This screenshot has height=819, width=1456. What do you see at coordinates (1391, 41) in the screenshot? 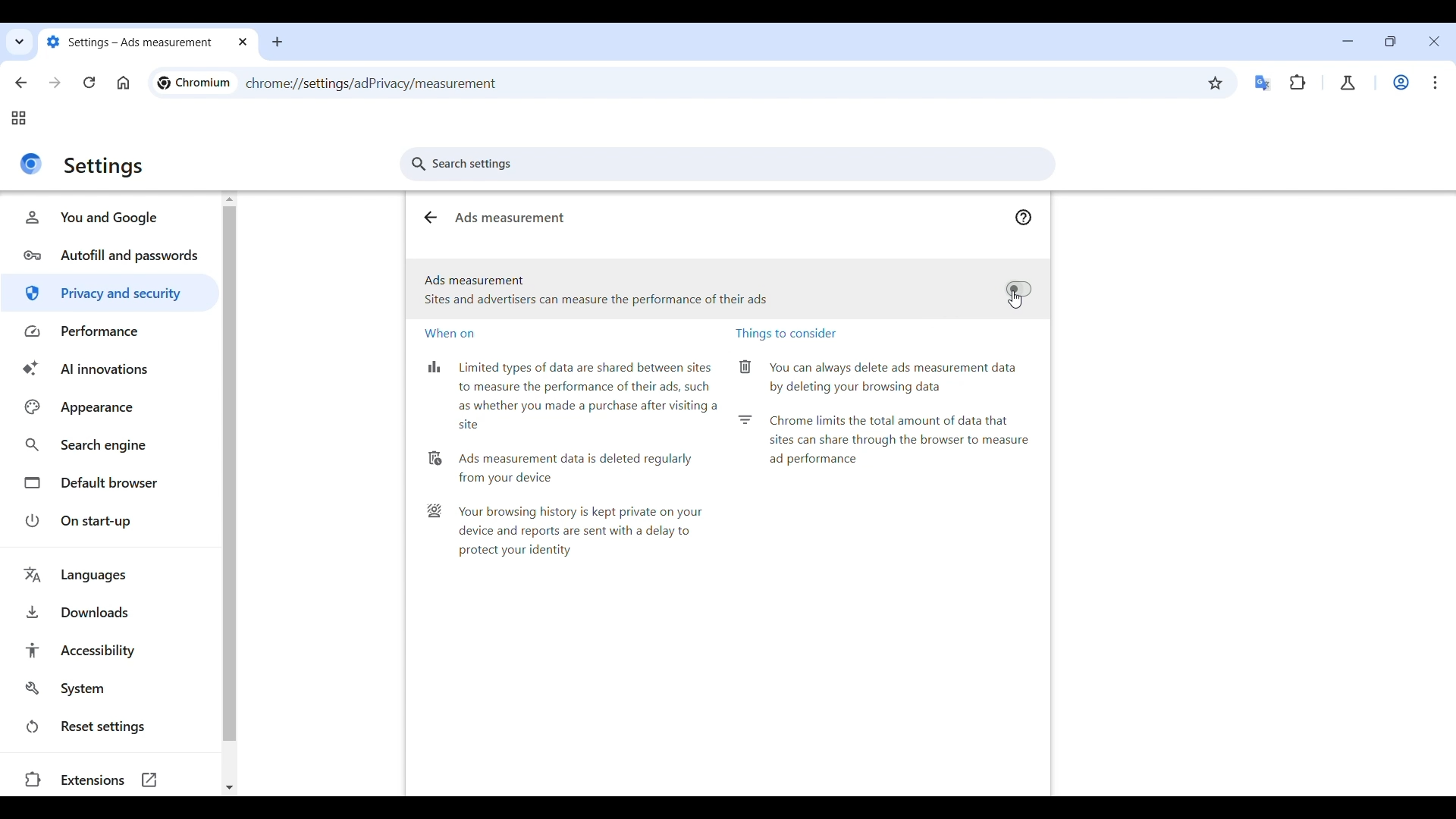
I see `Show interface in a smaller tab` at bounding box center [1391, 41].